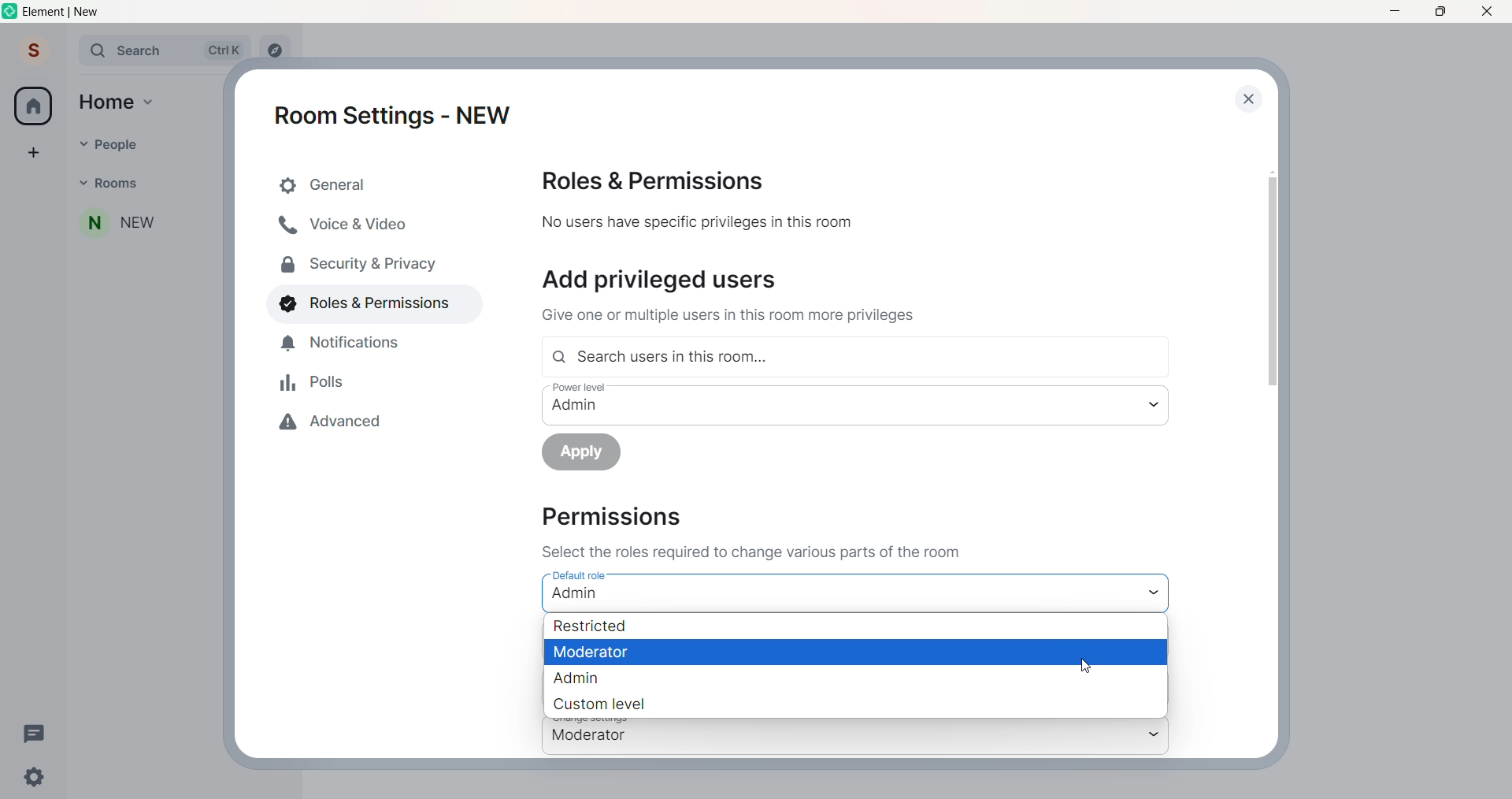  Describe the element at coordinates (31, 779) in the screenshot. I see `setting` at that location.